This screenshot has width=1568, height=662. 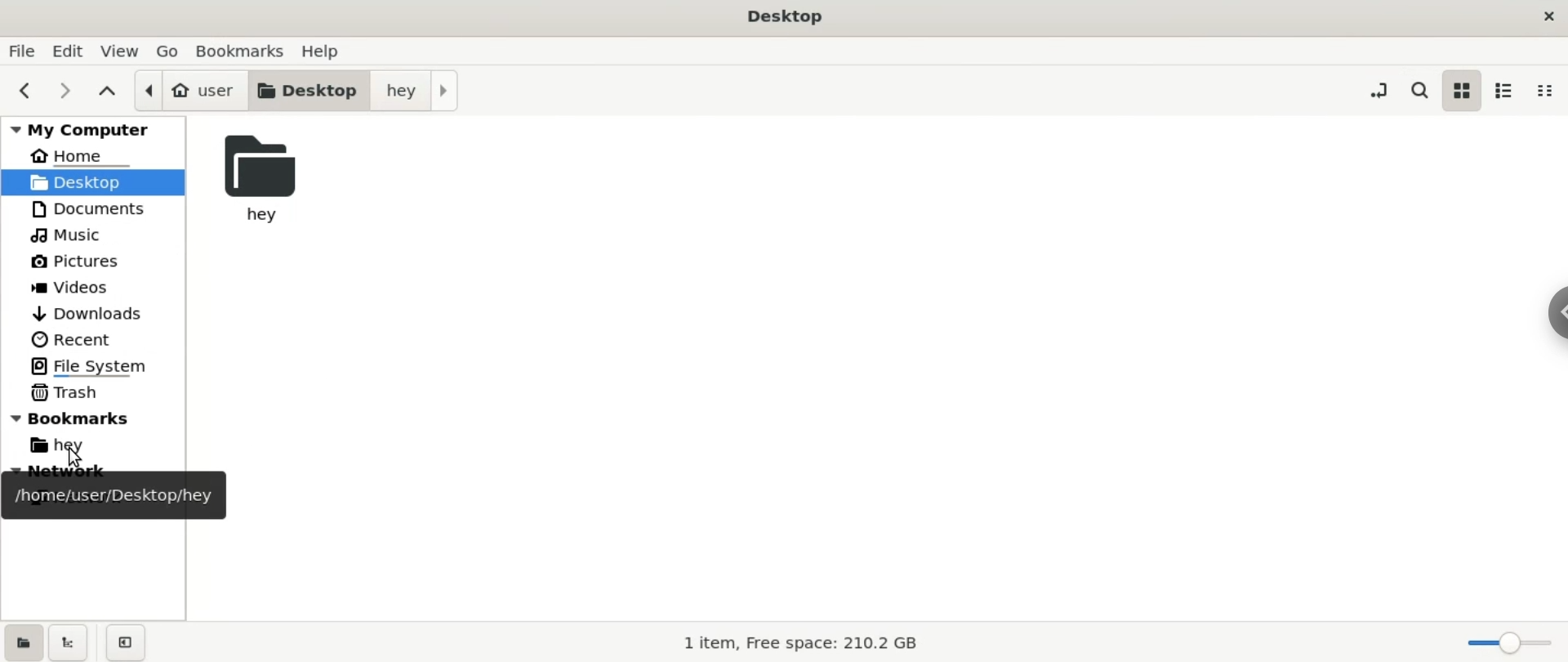 I want to click on recent, so click(x=74, y=339).